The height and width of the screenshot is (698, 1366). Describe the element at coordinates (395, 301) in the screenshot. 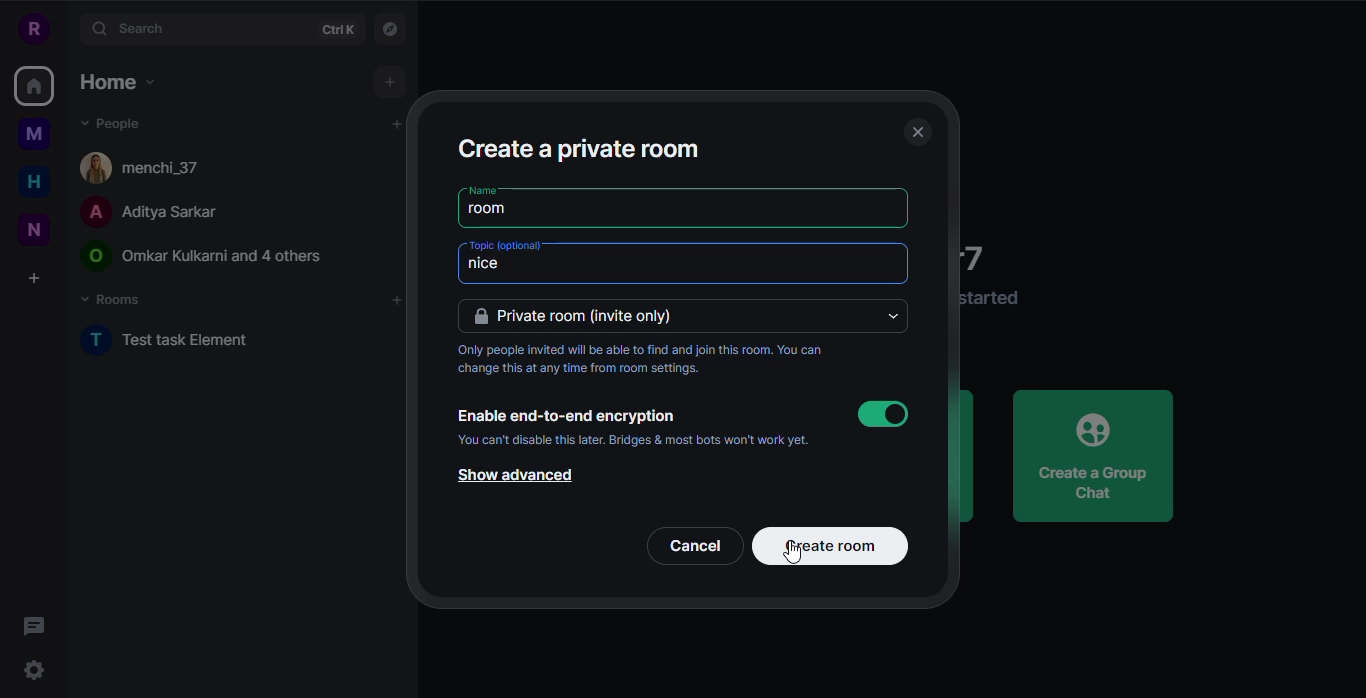

I see `add` at that location.